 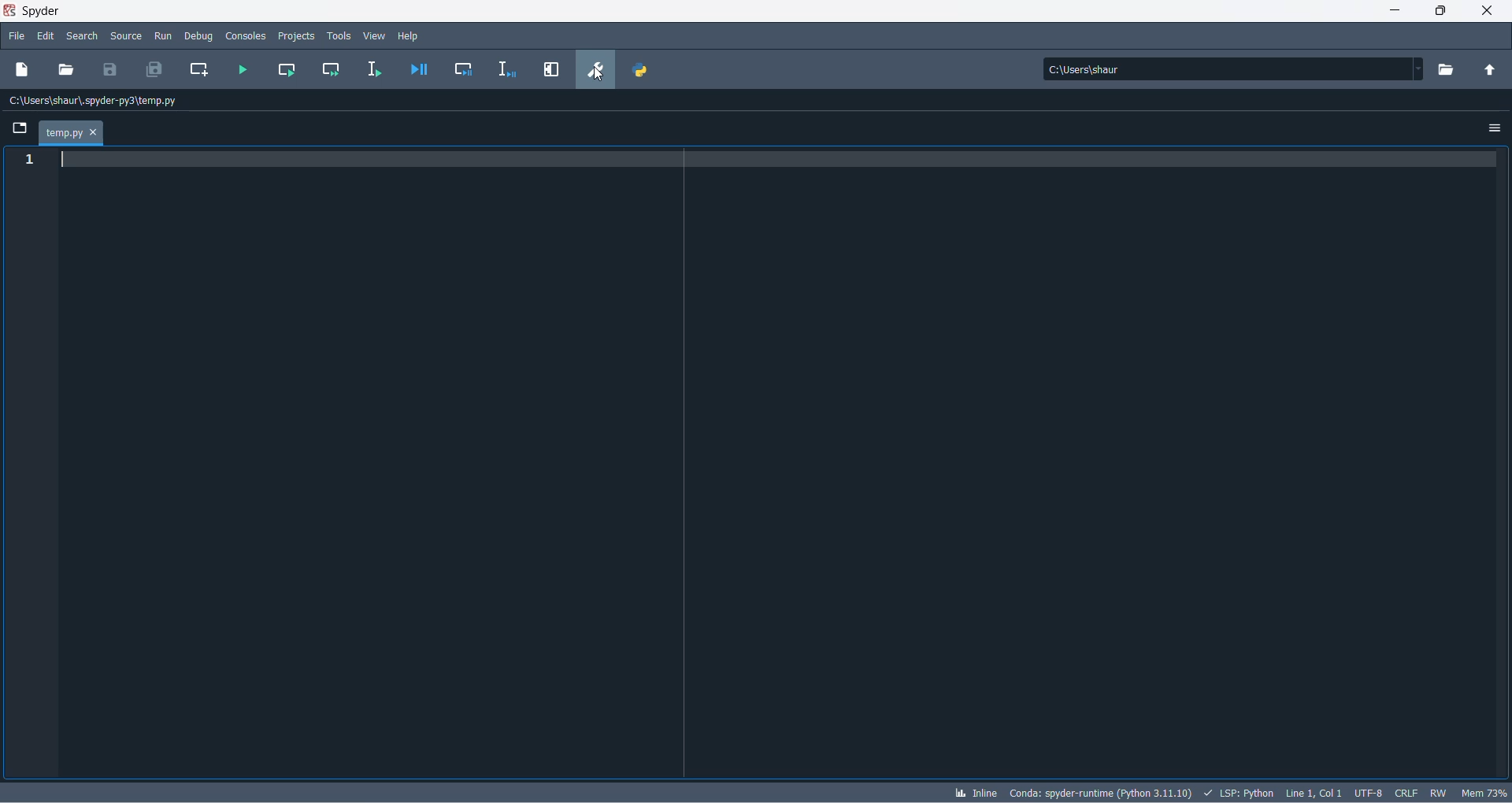 I want to click on open , so click(x=67, y=71).